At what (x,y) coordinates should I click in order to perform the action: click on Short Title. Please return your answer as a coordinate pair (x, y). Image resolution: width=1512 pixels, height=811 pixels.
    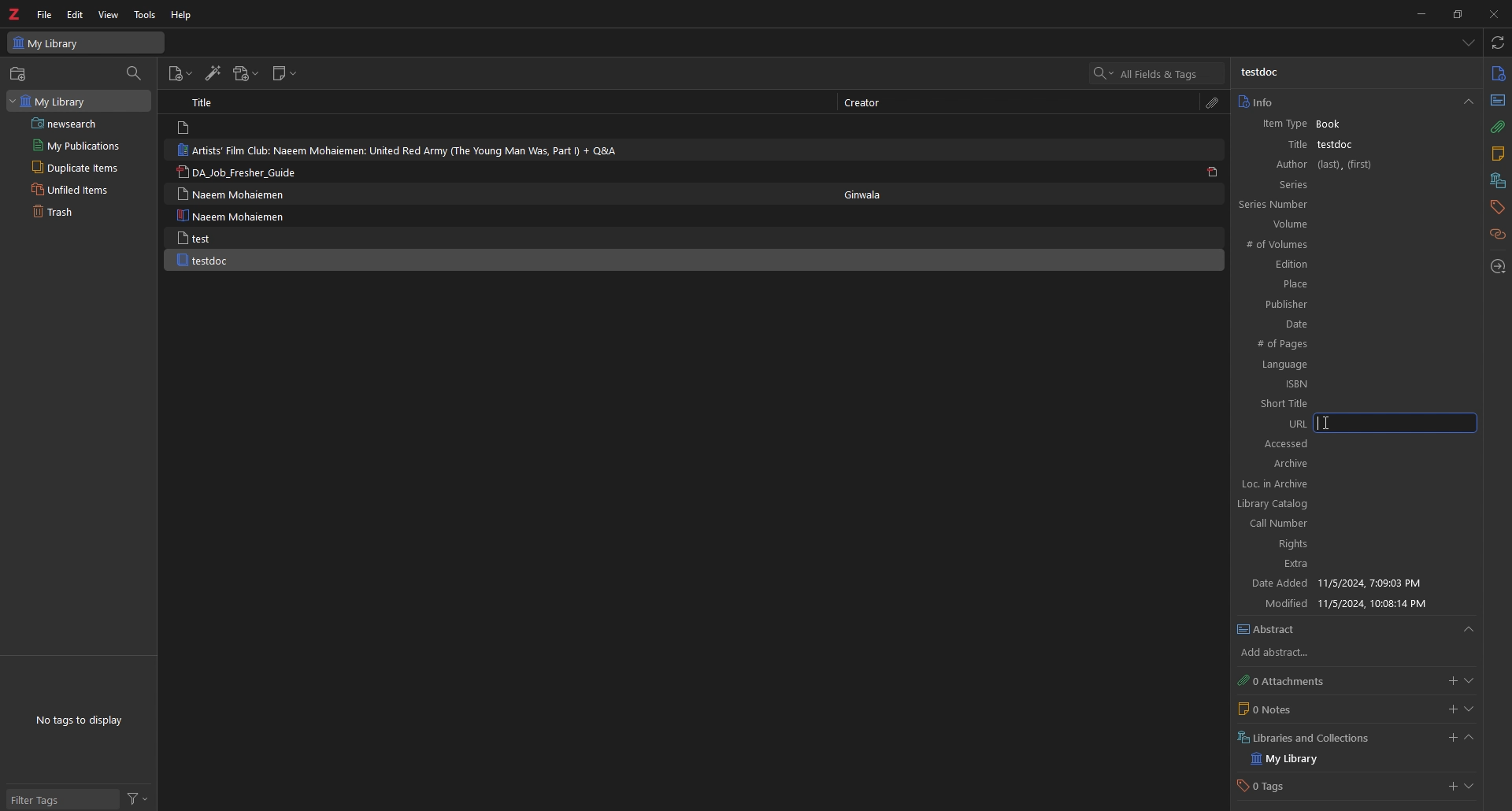
    Looking at the image, I should click on (1339, 403).